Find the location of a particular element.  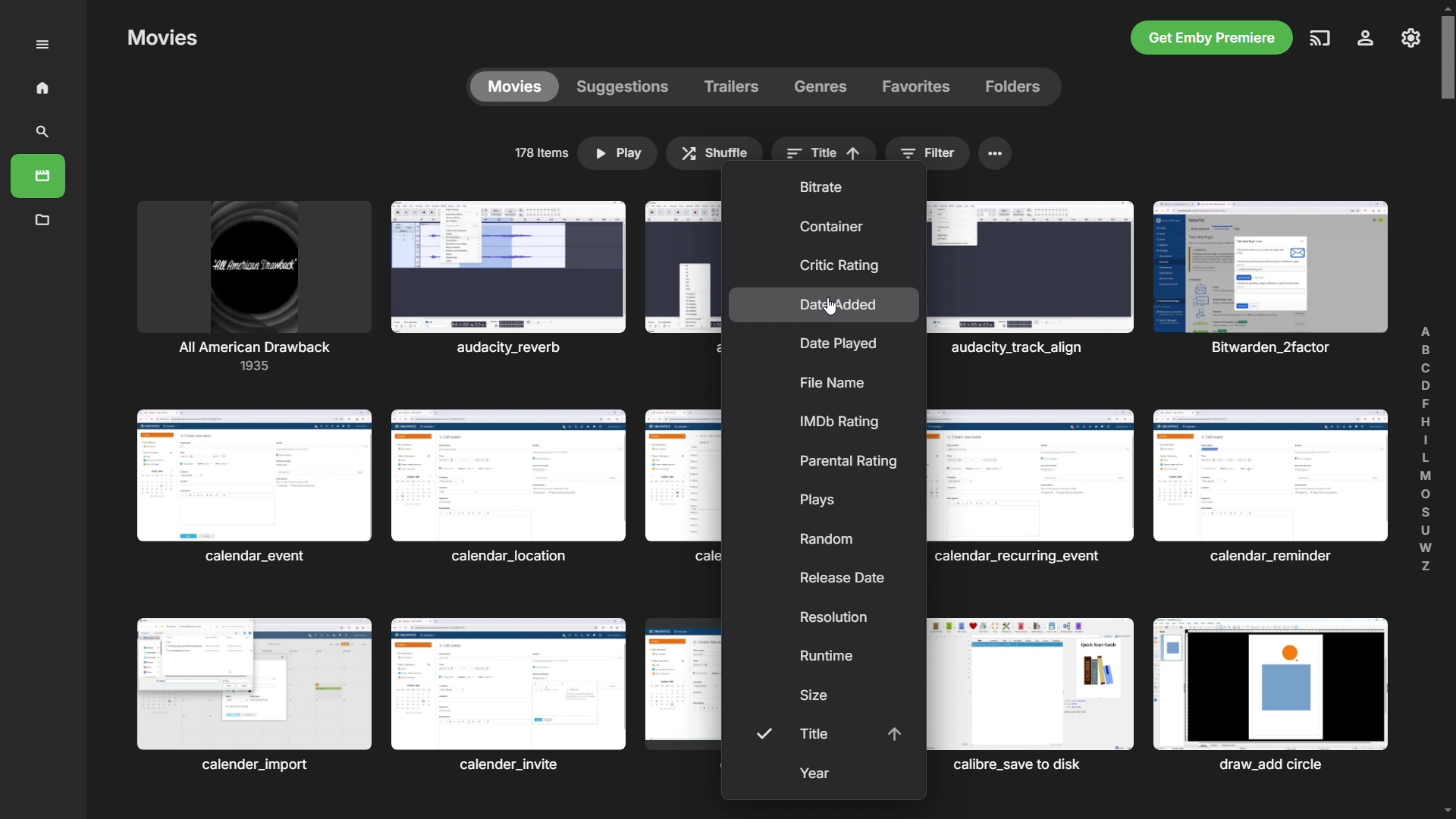

 is located at coordinates (1274, 695).